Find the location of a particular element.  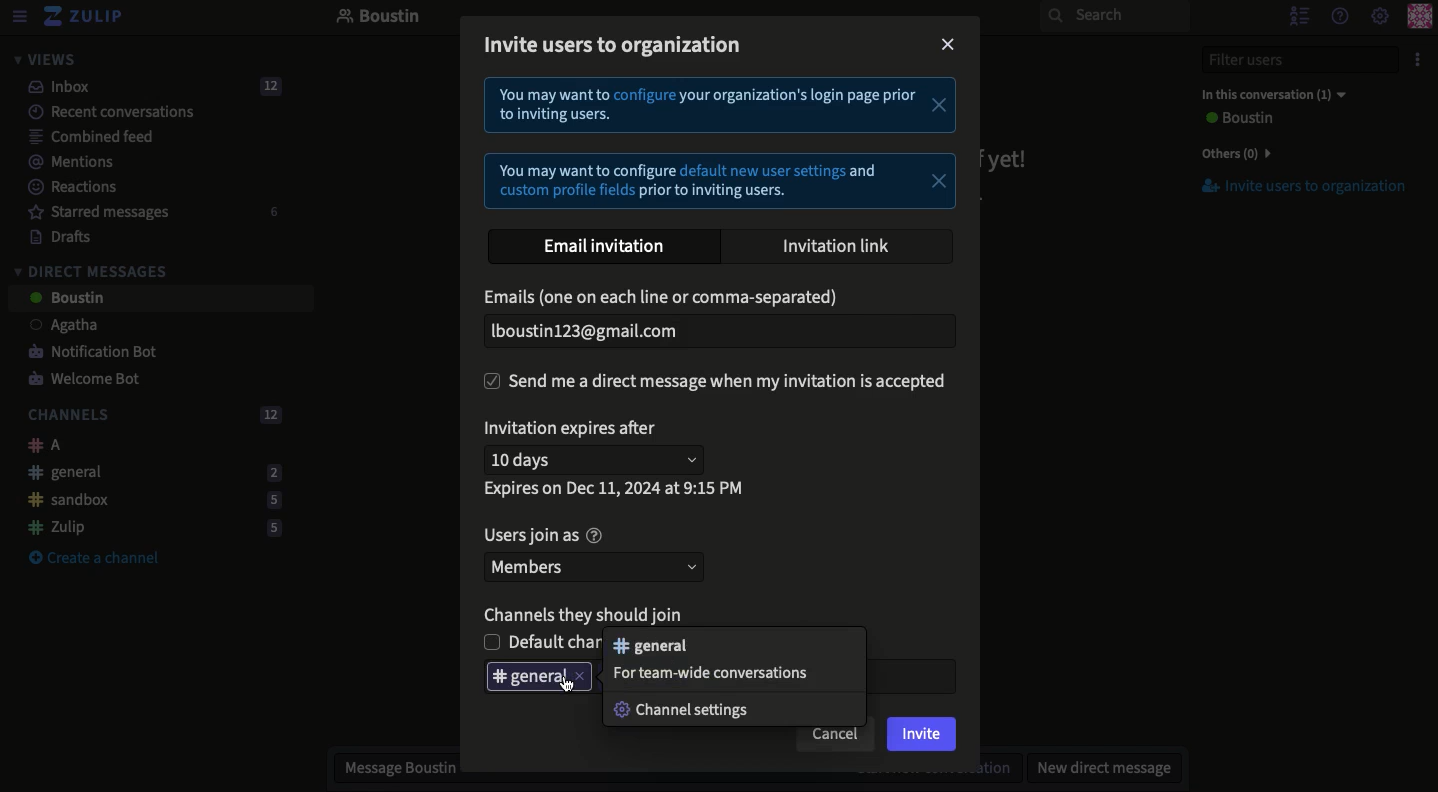

Invite users to organization is located at coordinates (1293, 187).